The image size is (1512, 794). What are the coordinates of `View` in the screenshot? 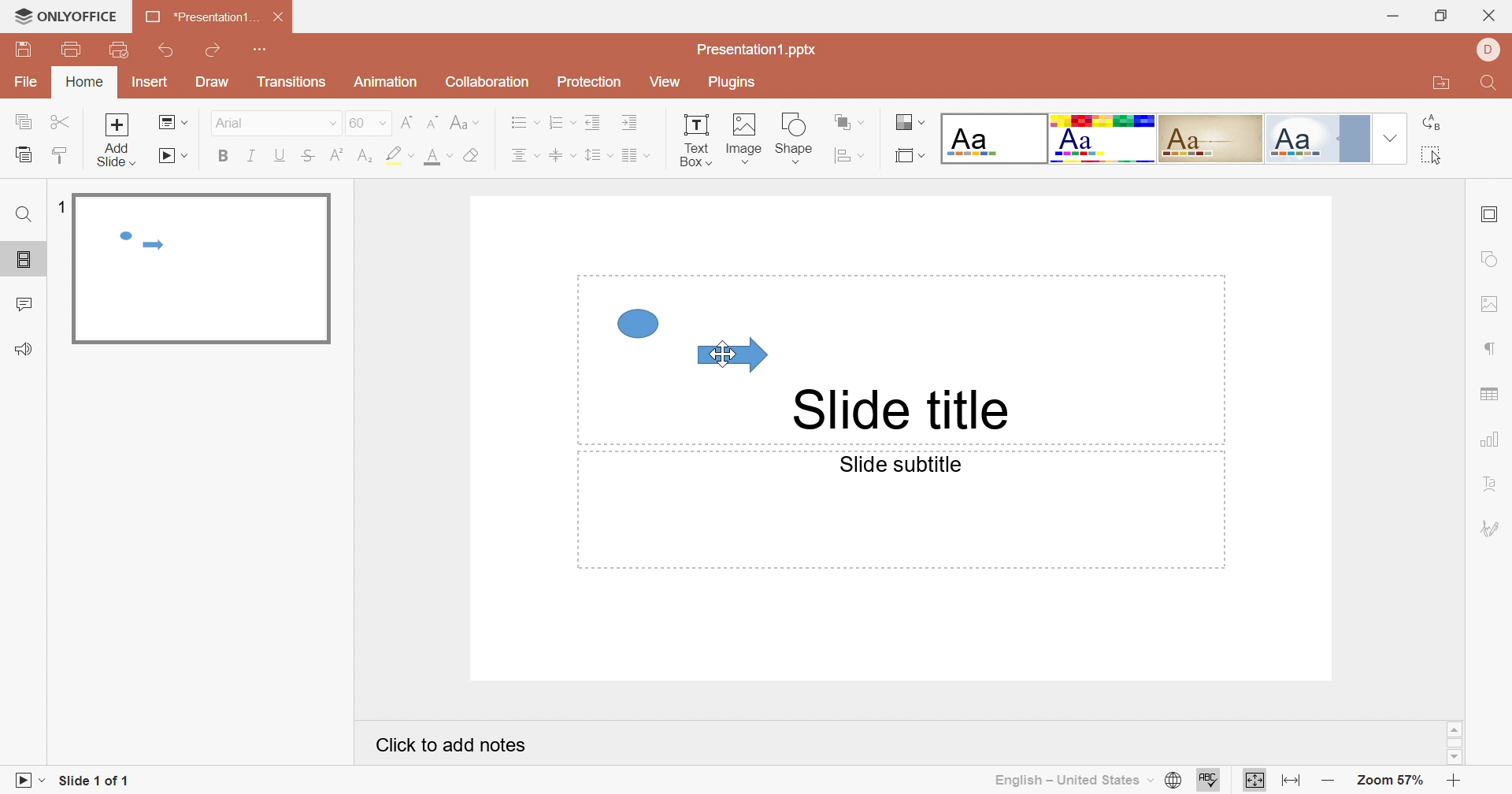 It's located at (667, 81).